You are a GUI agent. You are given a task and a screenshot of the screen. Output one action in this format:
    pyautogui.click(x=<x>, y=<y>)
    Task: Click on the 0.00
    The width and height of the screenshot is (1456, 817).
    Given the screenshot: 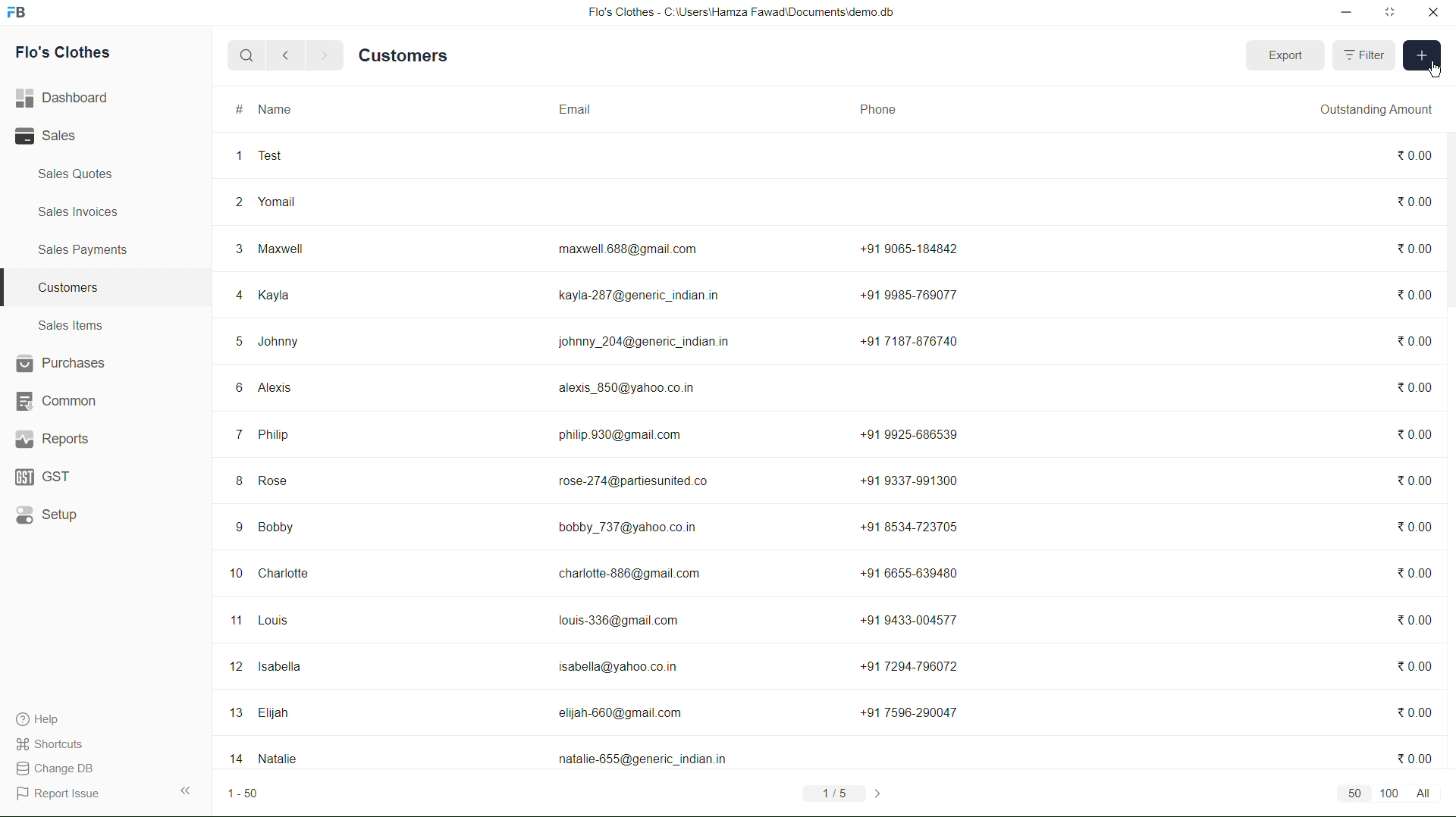 What is the action you would take?
    pyautogui.click(x=1415, y=387)
    